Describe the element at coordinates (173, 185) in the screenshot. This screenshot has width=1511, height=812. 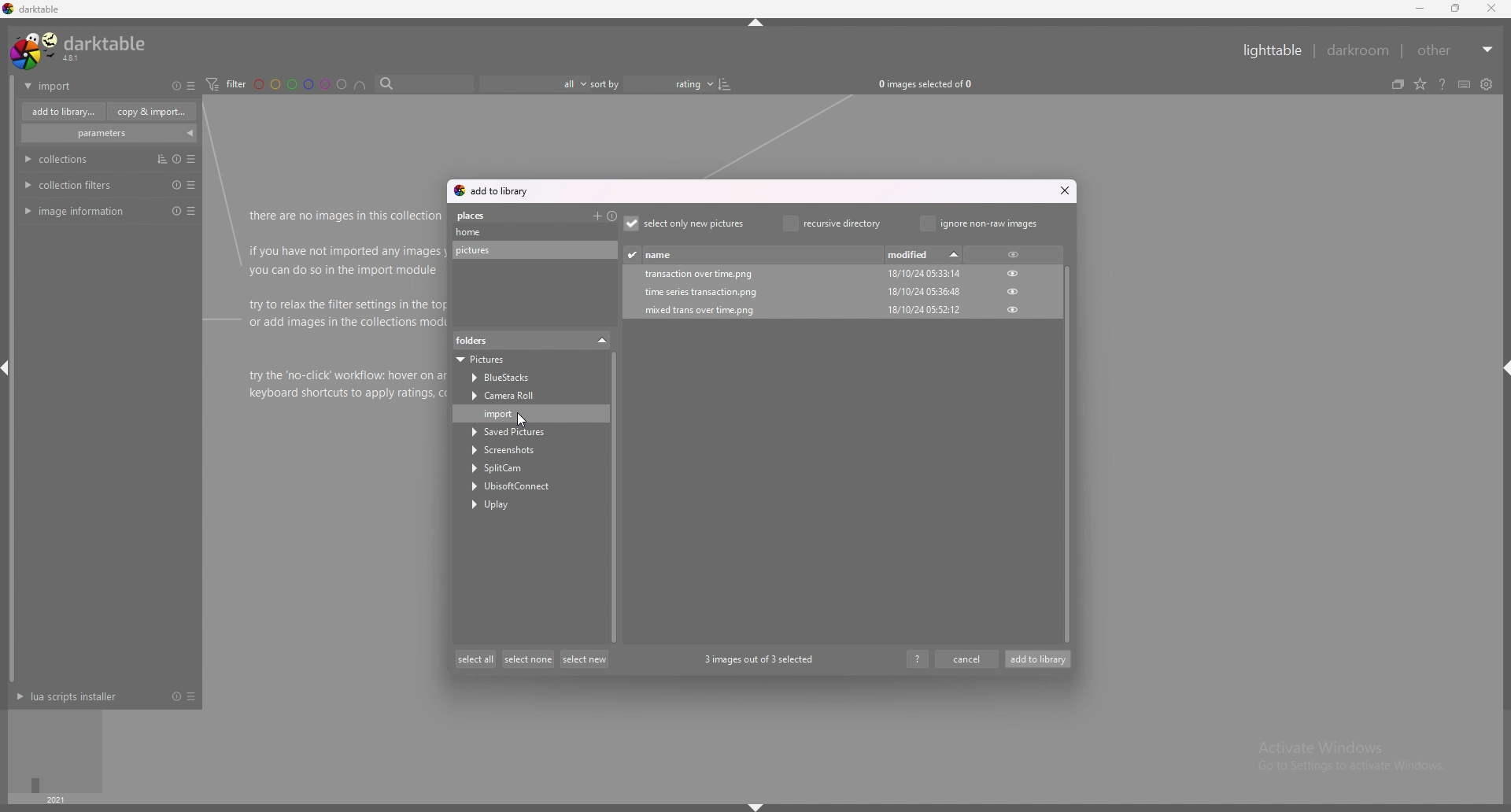
I see `reset` at that location.